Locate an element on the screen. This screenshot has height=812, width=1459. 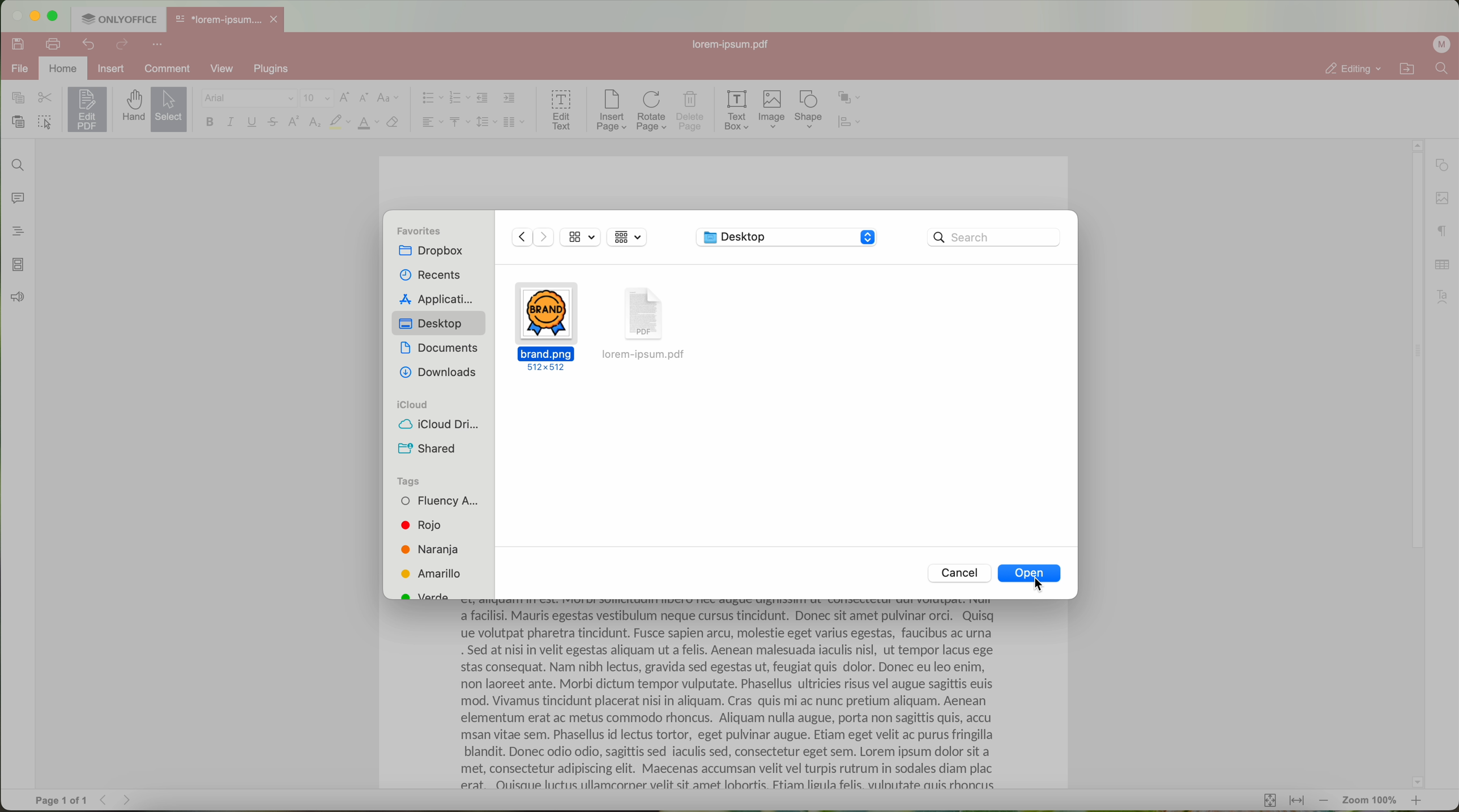
Backward is located at coordinates (107, 800).